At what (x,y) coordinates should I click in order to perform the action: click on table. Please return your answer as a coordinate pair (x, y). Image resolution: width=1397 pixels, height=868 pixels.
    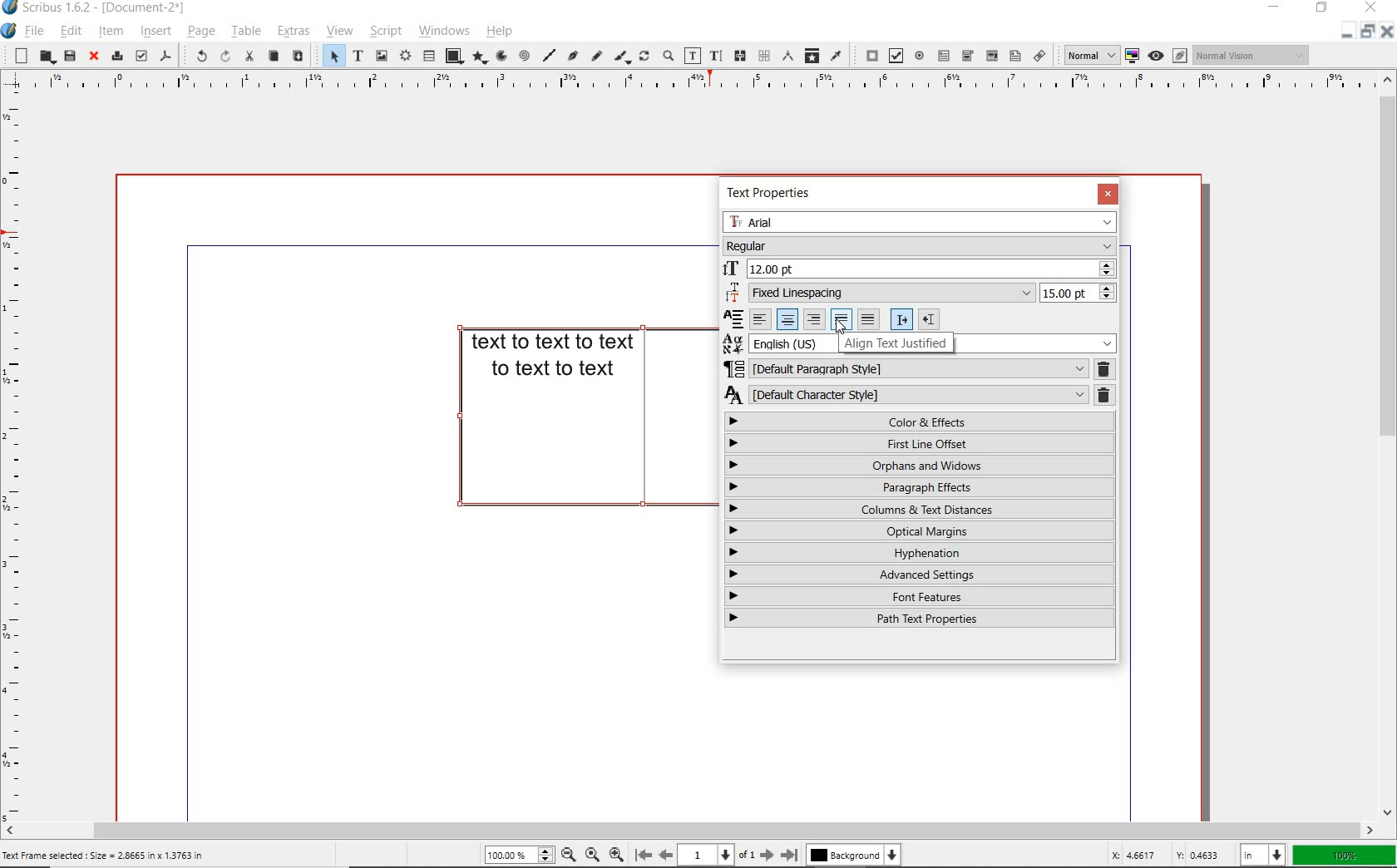
    Looking at the image, I should click on (429, 55).